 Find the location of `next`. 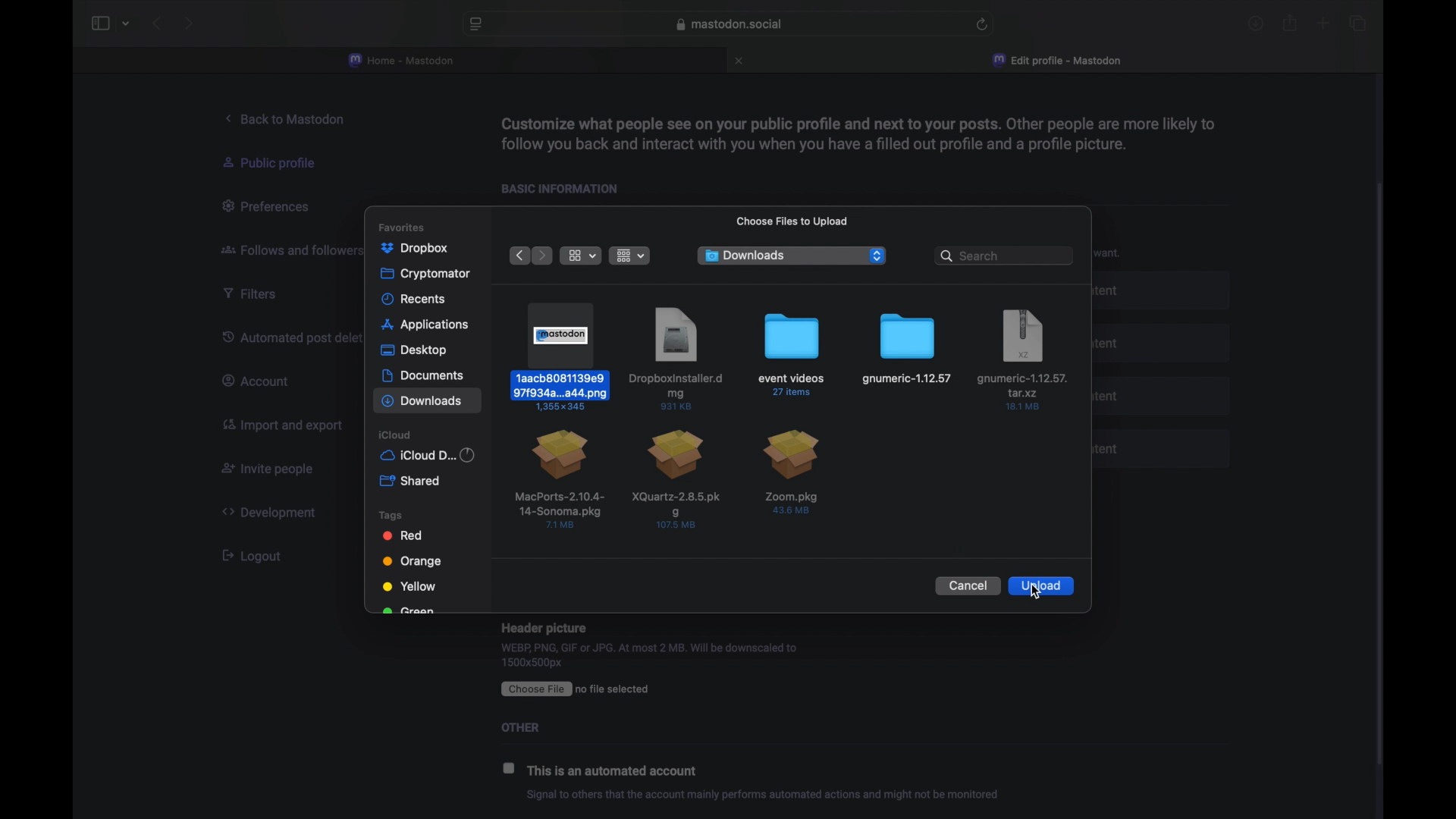

next is located at coordinates (188, 23).